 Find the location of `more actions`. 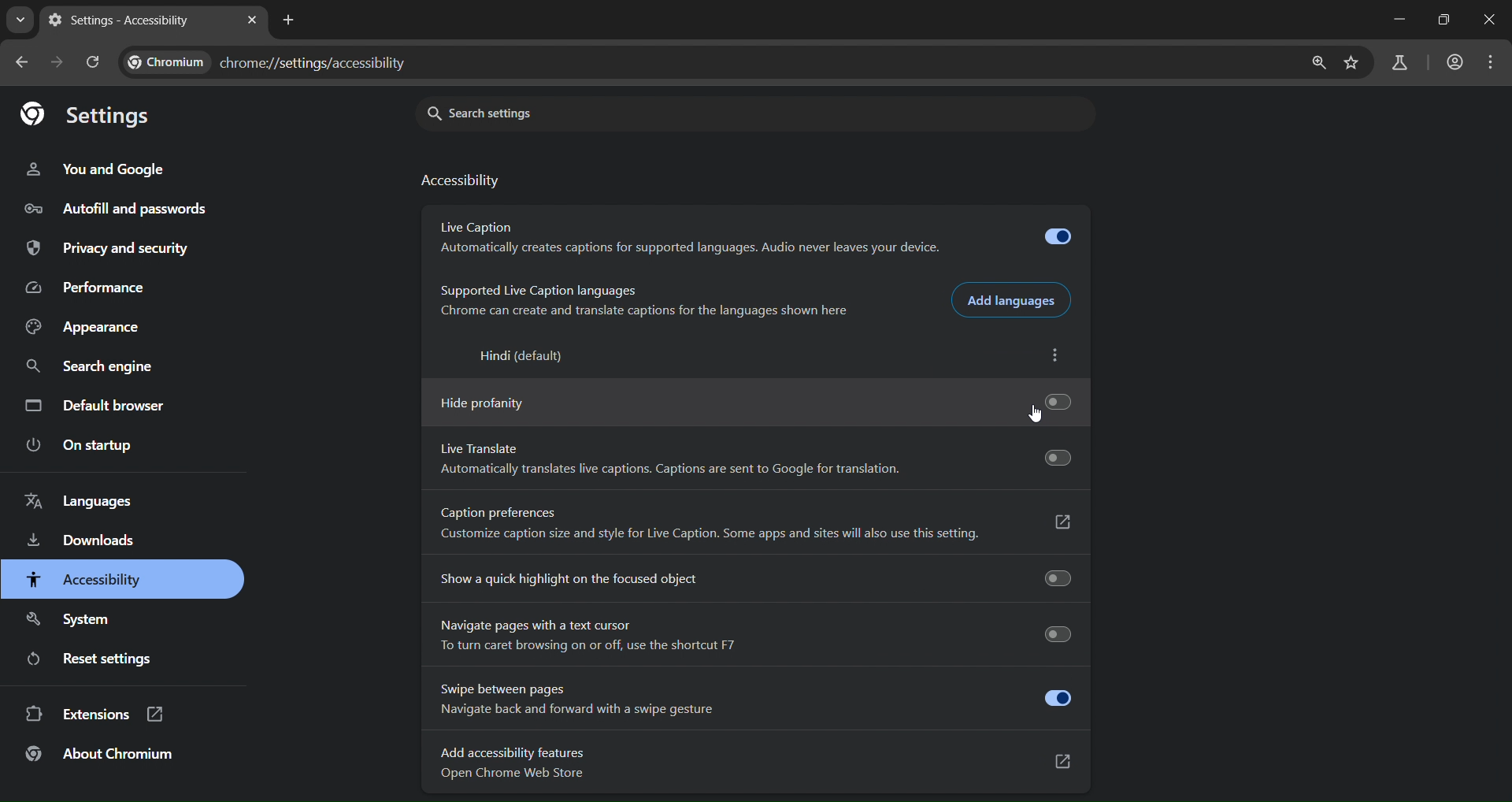

more actions is located at coordinates (1053, 355).